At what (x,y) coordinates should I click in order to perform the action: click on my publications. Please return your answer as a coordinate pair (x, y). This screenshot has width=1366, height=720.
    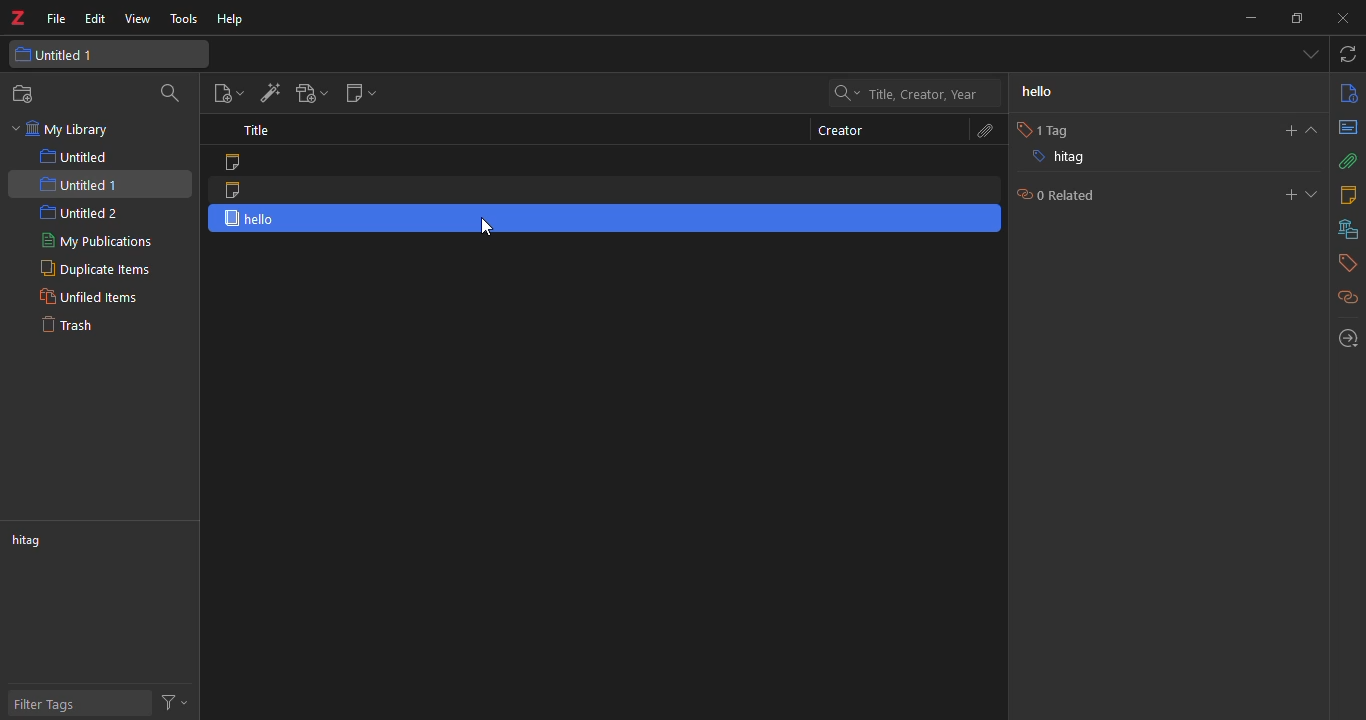
    Looking at the image, I should click on (99, 243).